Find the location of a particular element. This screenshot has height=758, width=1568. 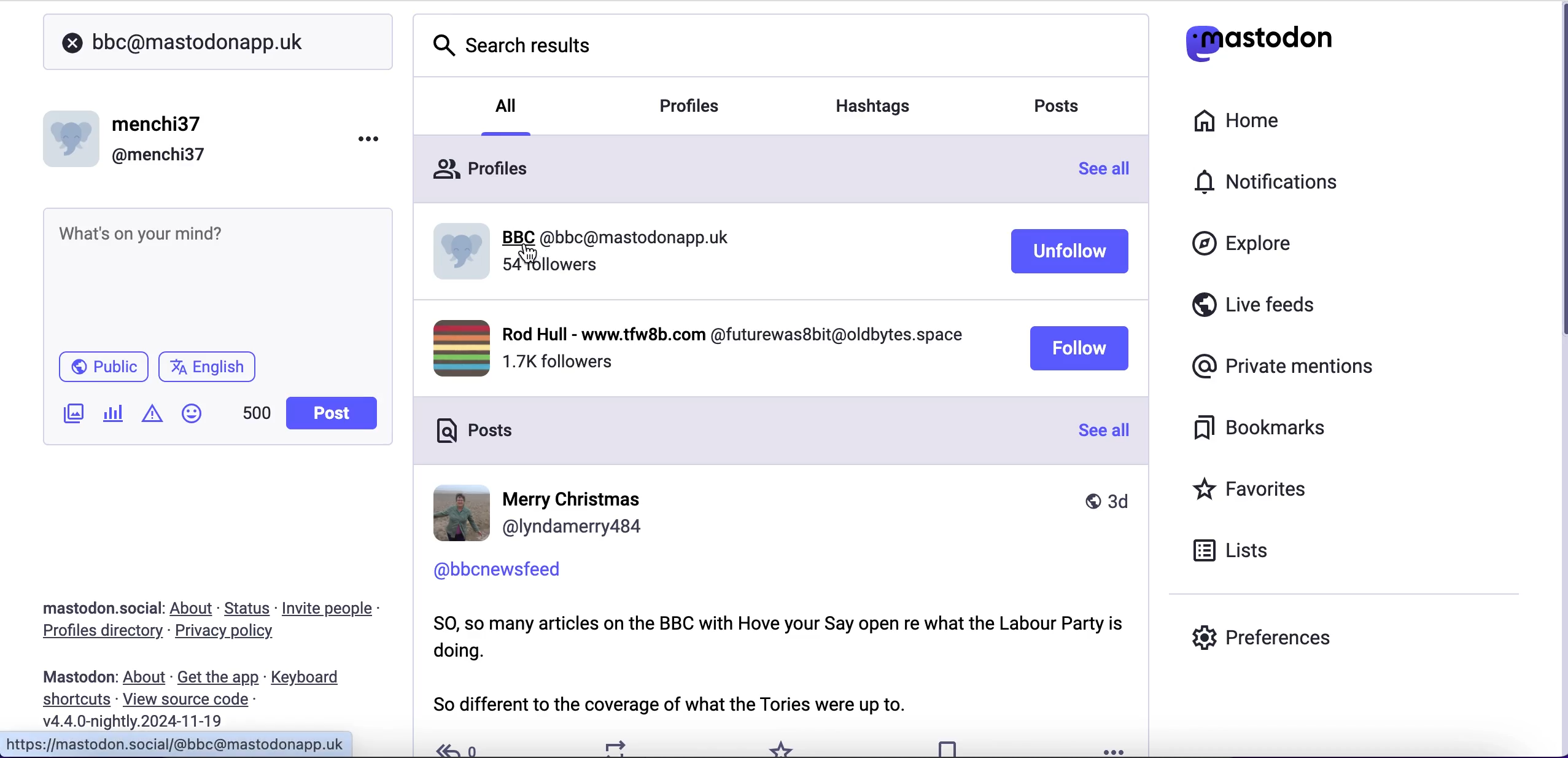

notifications is located at coordinates (1272, 181).